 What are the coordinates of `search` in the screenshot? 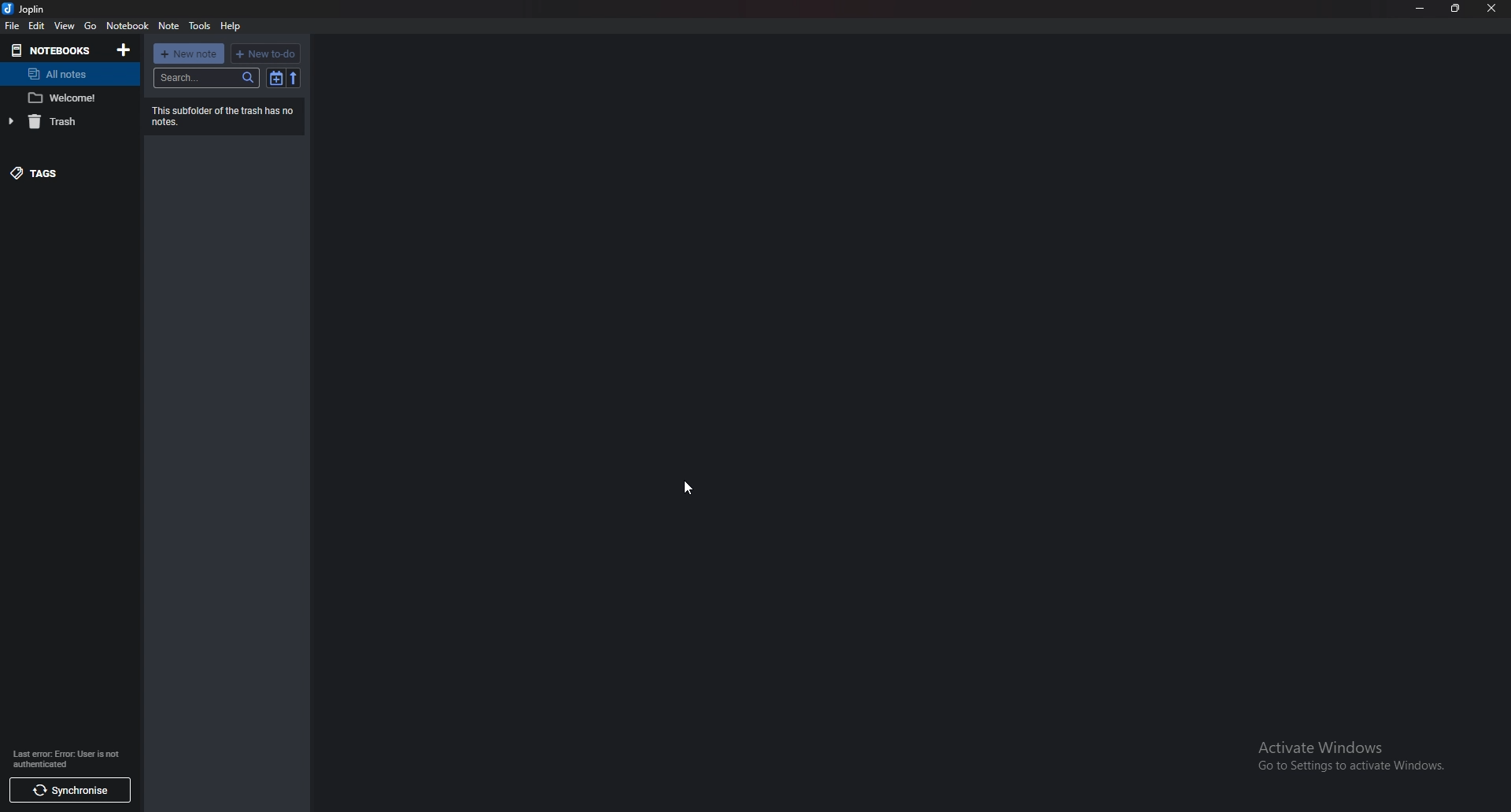 It's located at (206, 77).